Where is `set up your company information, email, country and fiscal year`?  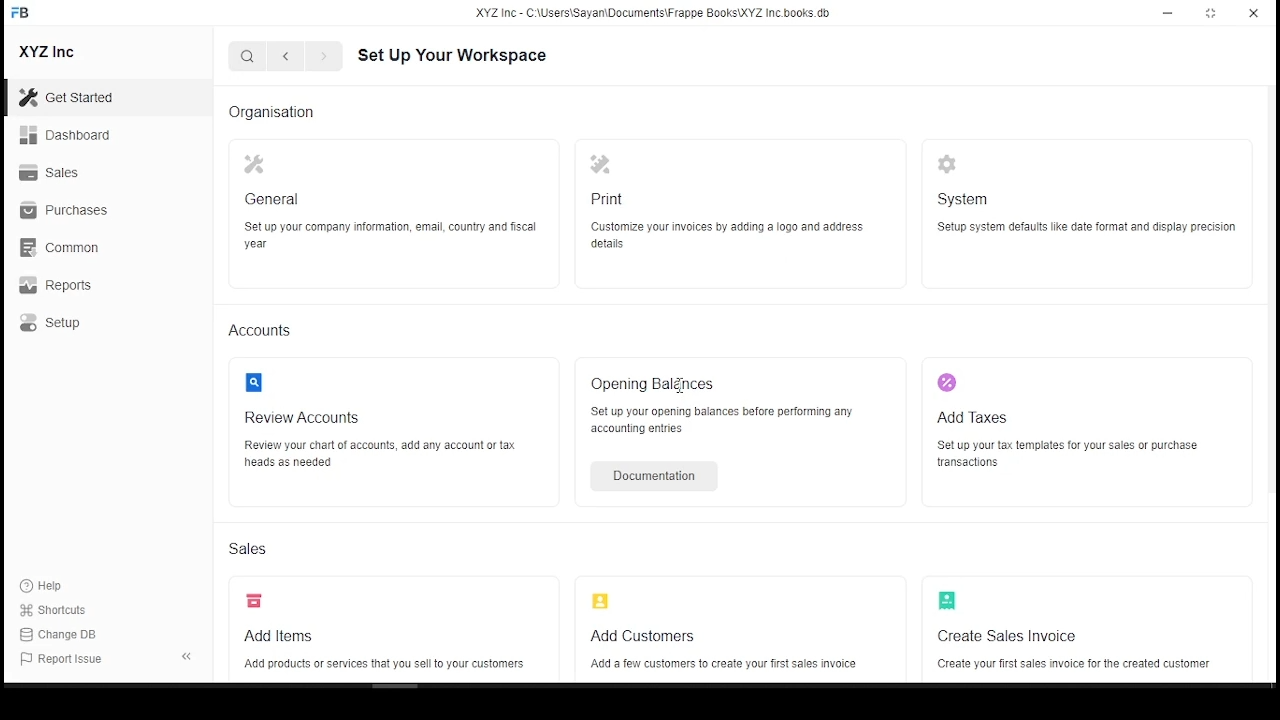 set up your company information, email, country and fiscal year is located at coordinates (390, 233).